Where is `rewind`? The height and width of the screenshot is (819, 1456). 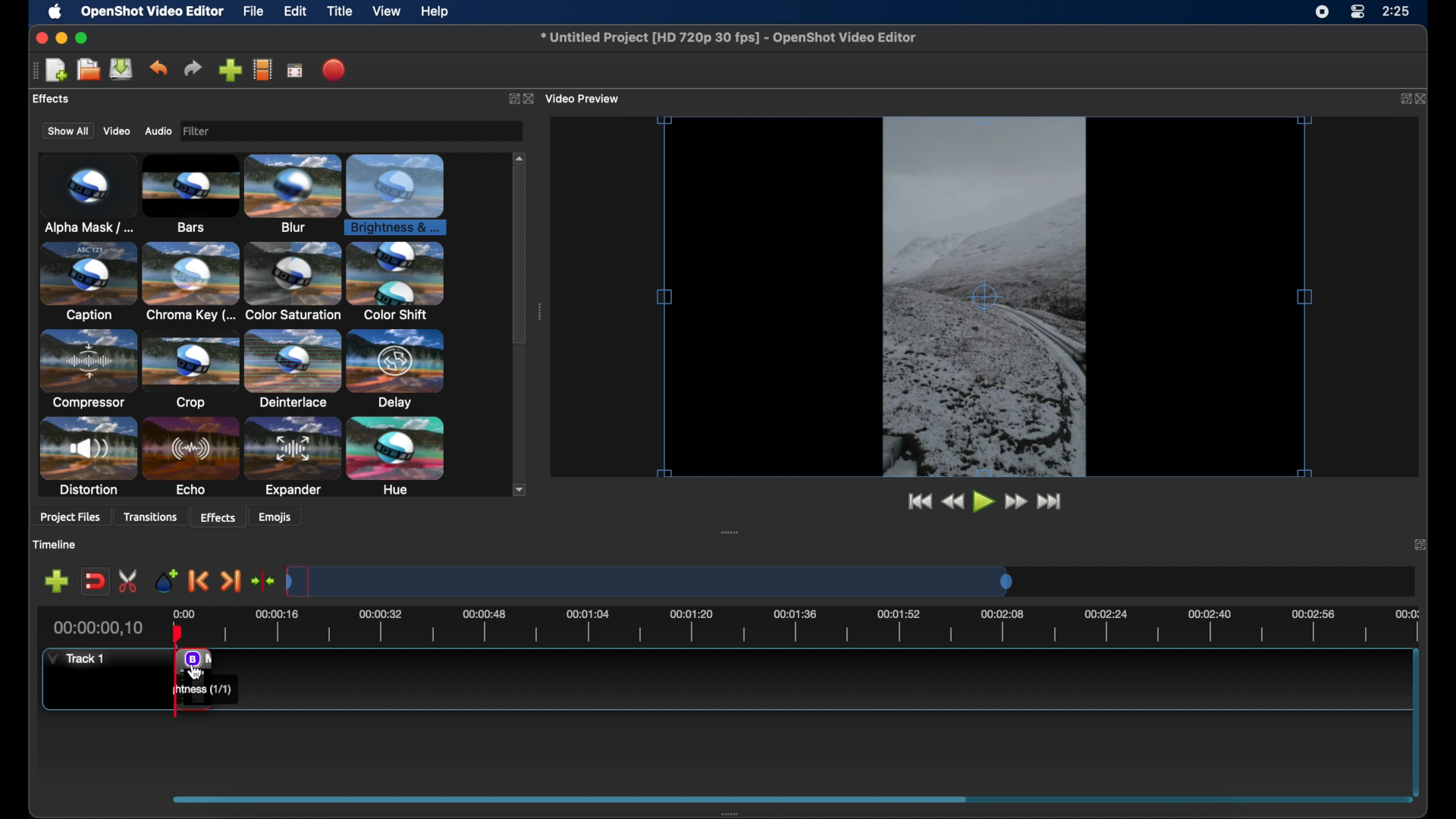
rewind is located at coordinates (952, 501).